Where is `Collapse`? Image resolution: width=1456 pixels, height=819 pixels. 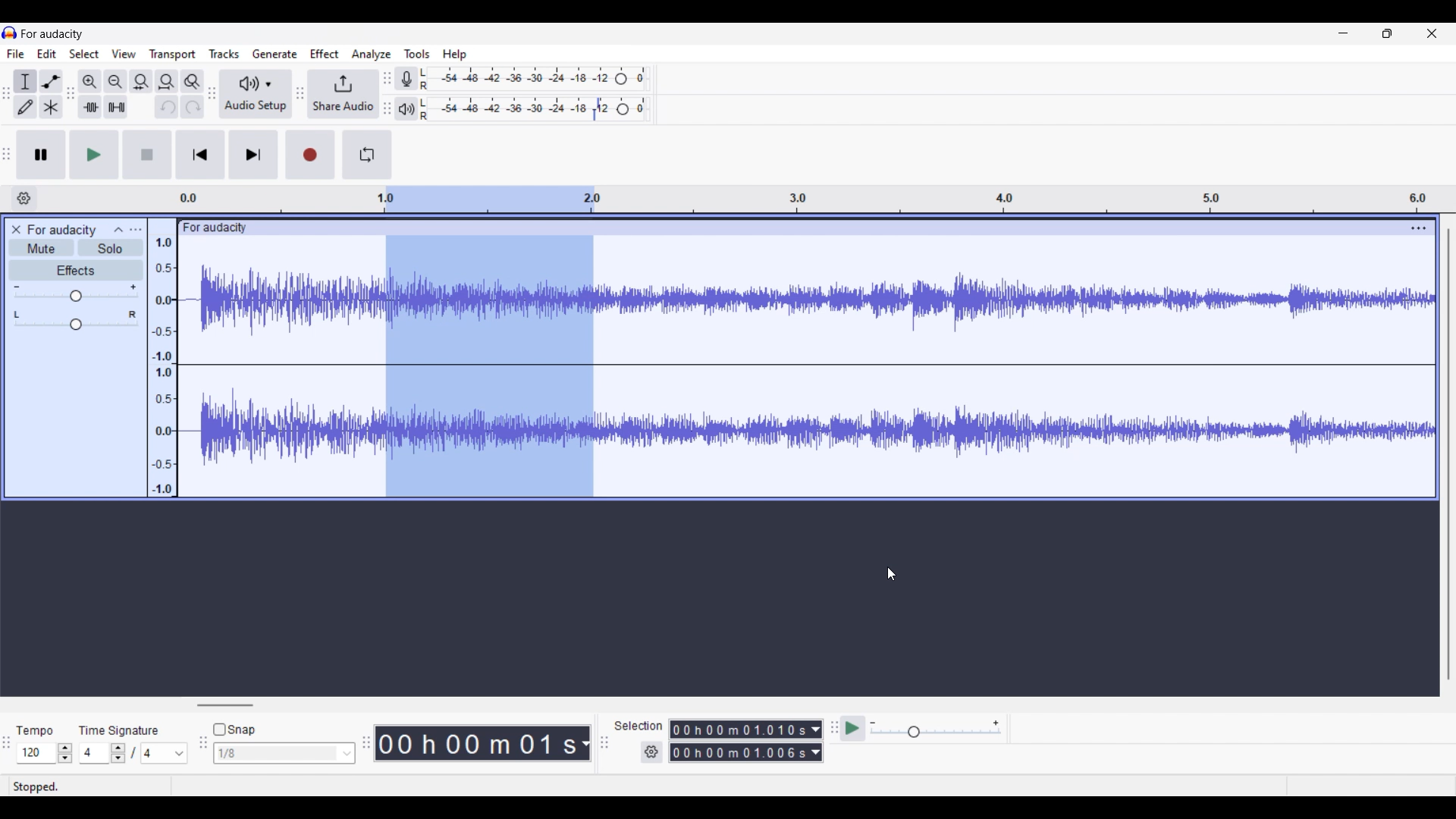 Collapse is located at coordinates (118, 229).